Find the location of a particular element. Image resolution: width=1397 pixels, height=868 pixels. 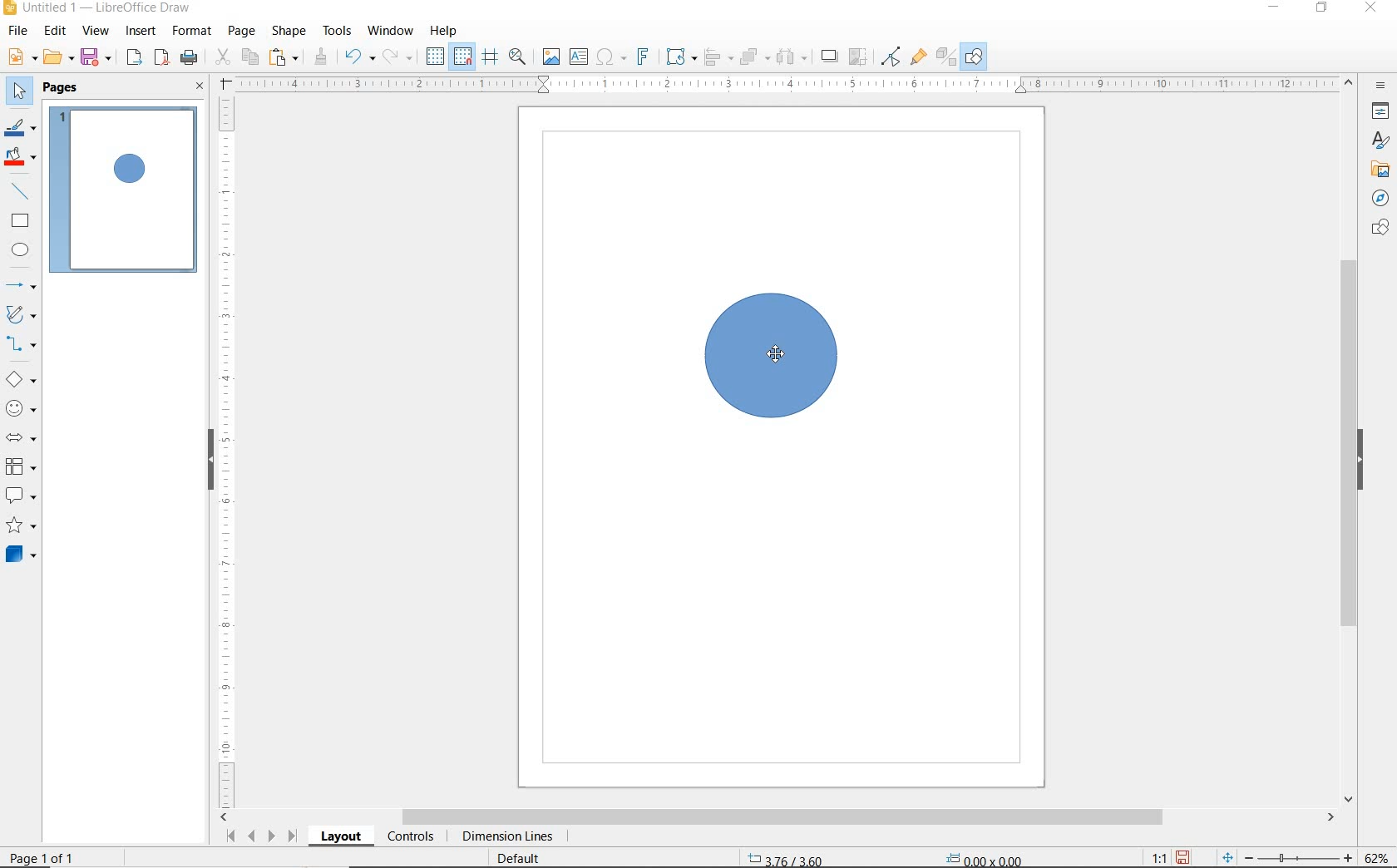

SHADOW is located at coordinates (829, 57).